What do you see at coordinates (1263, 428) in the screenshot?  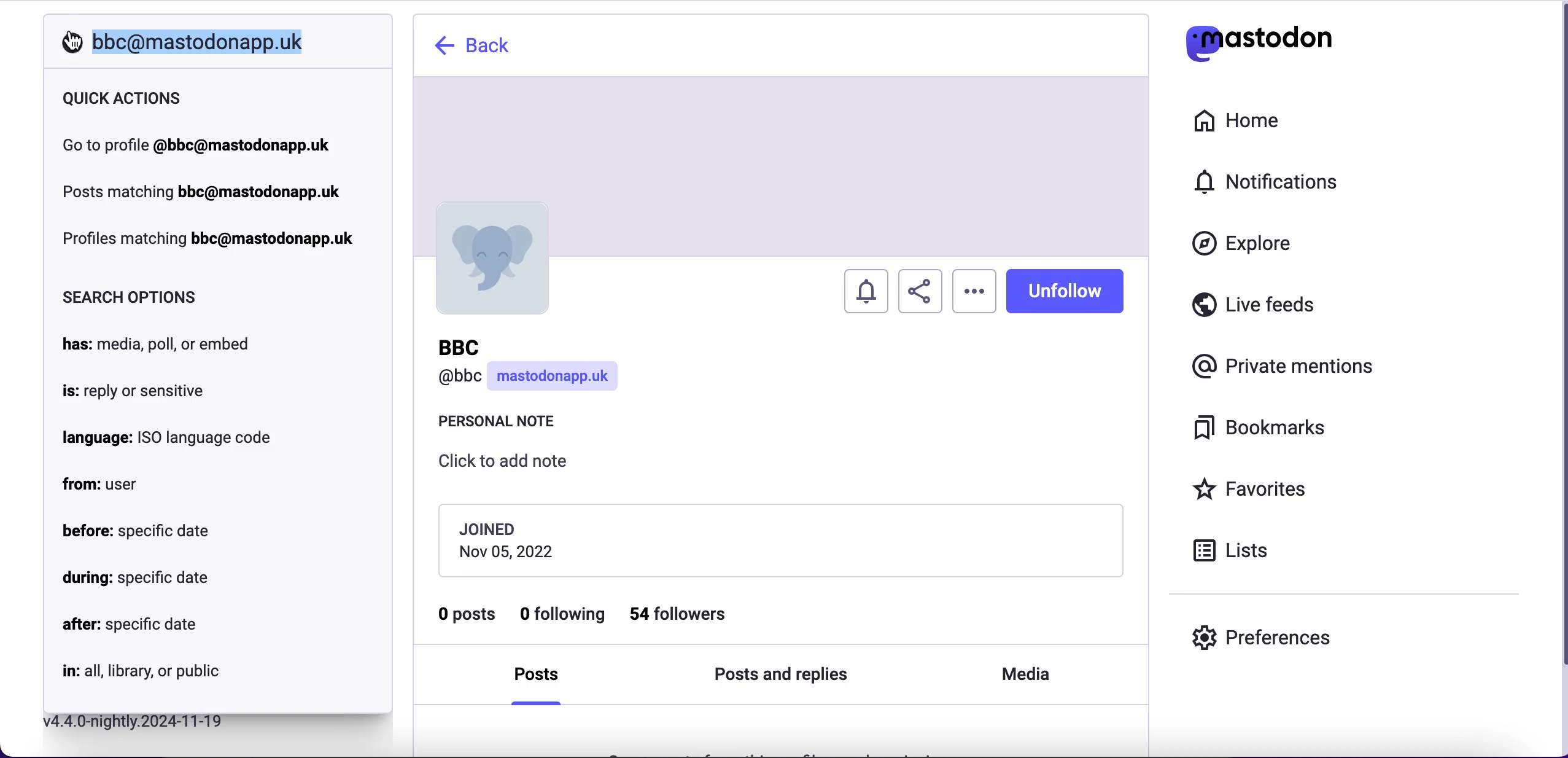 I see `bookmarks` at bounding box center [1263, 428].